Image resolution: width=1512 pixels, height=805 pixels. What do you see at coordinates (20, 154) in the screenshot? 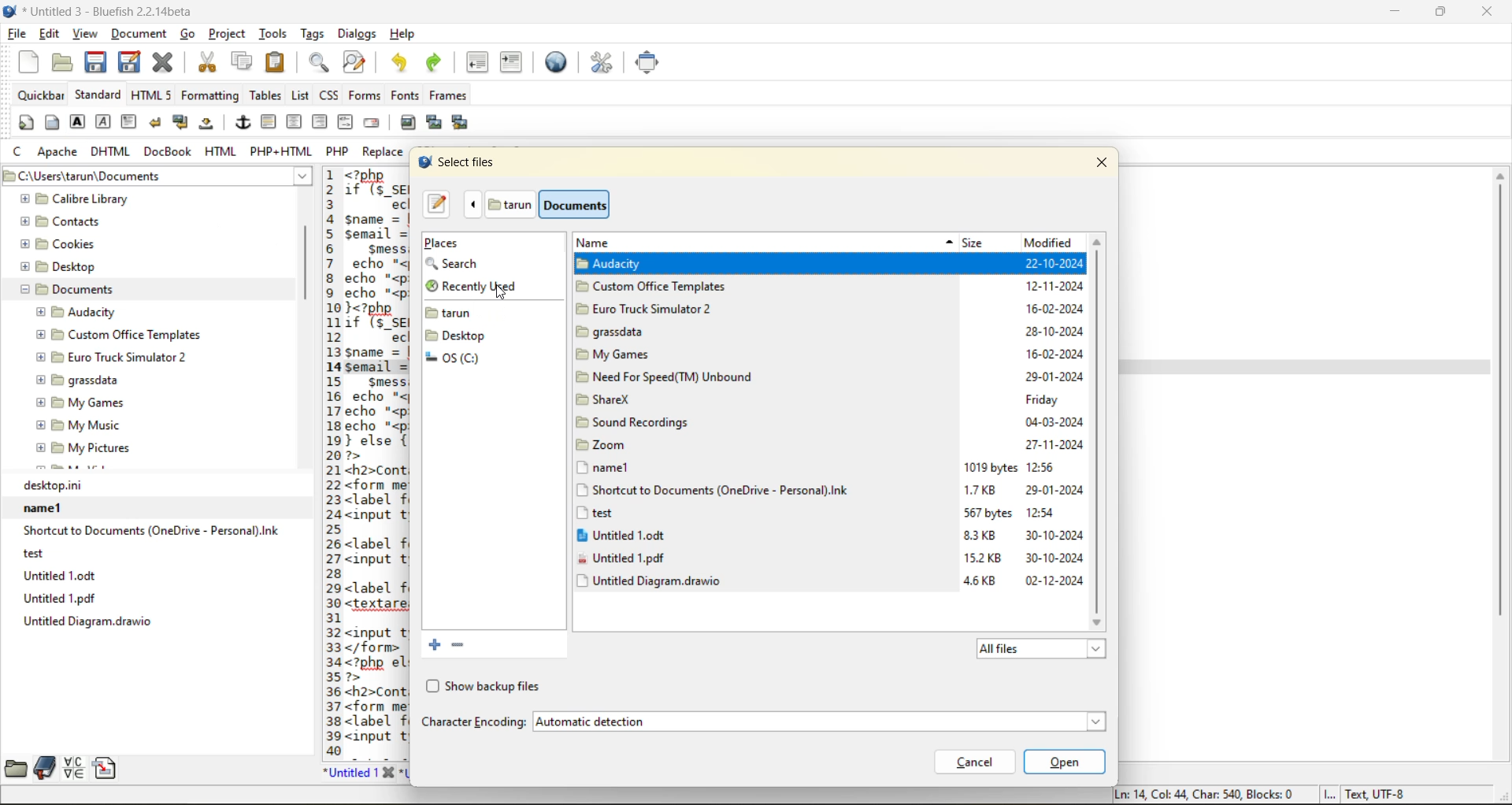
I see `c` at bounding box center [20, 154].